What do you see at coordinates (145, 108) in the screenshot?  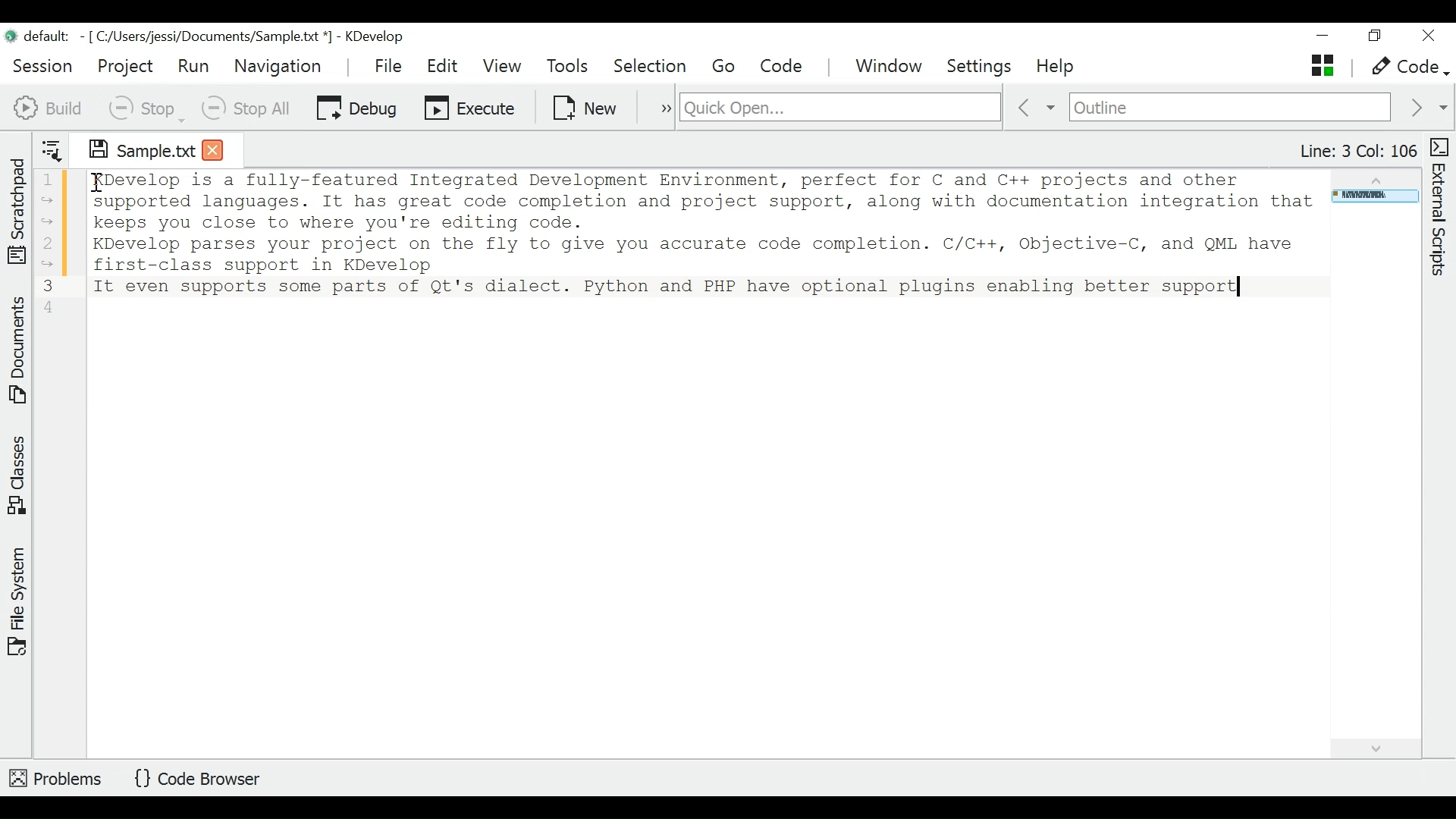 I see `Stop` at bounding box center [145, 108].